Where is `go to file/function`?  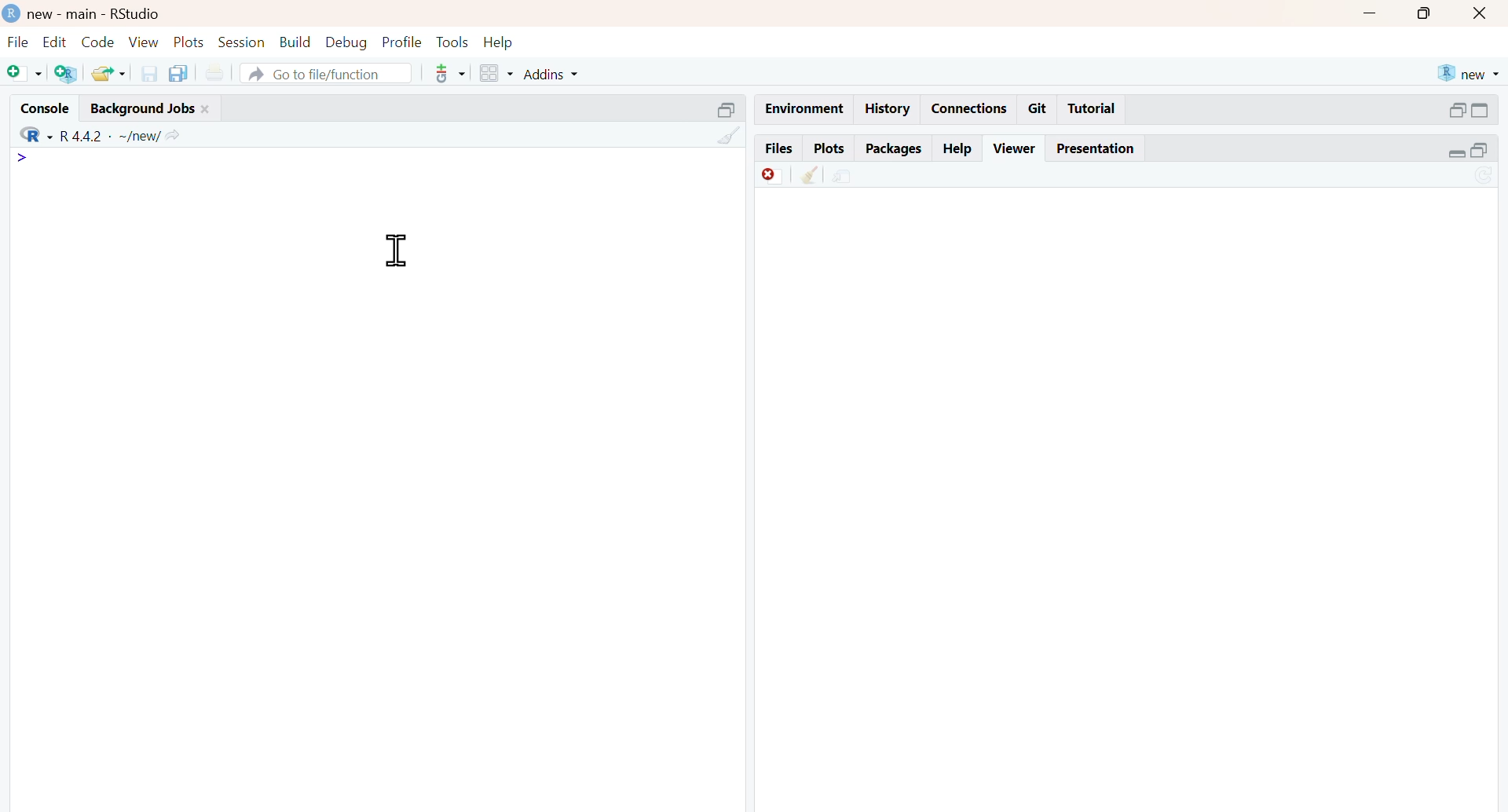
go to file/function is located at coordinates (327, 75).